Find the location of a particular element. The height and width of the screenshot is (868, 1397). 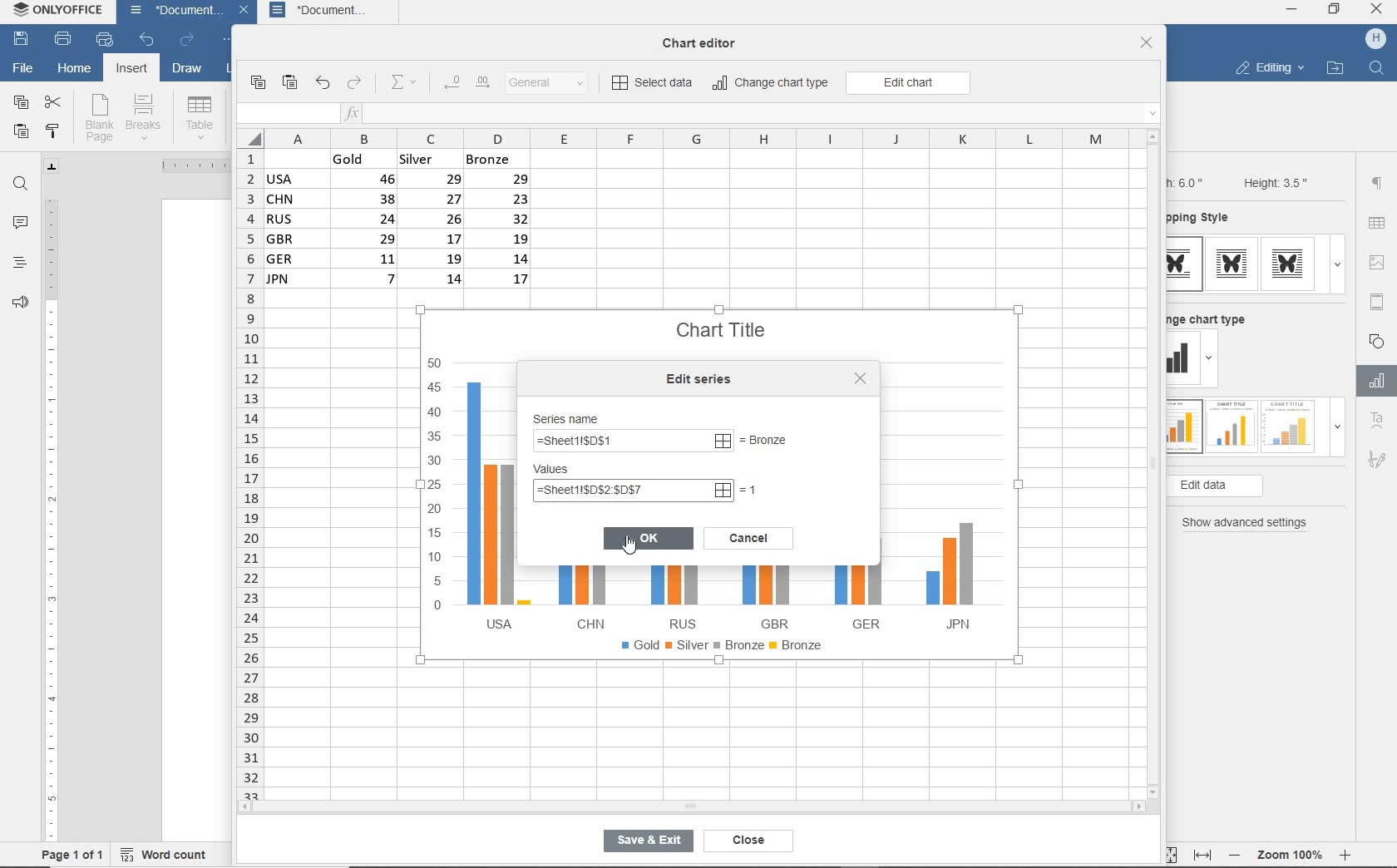

redo  is located at coordinates (355, 84).